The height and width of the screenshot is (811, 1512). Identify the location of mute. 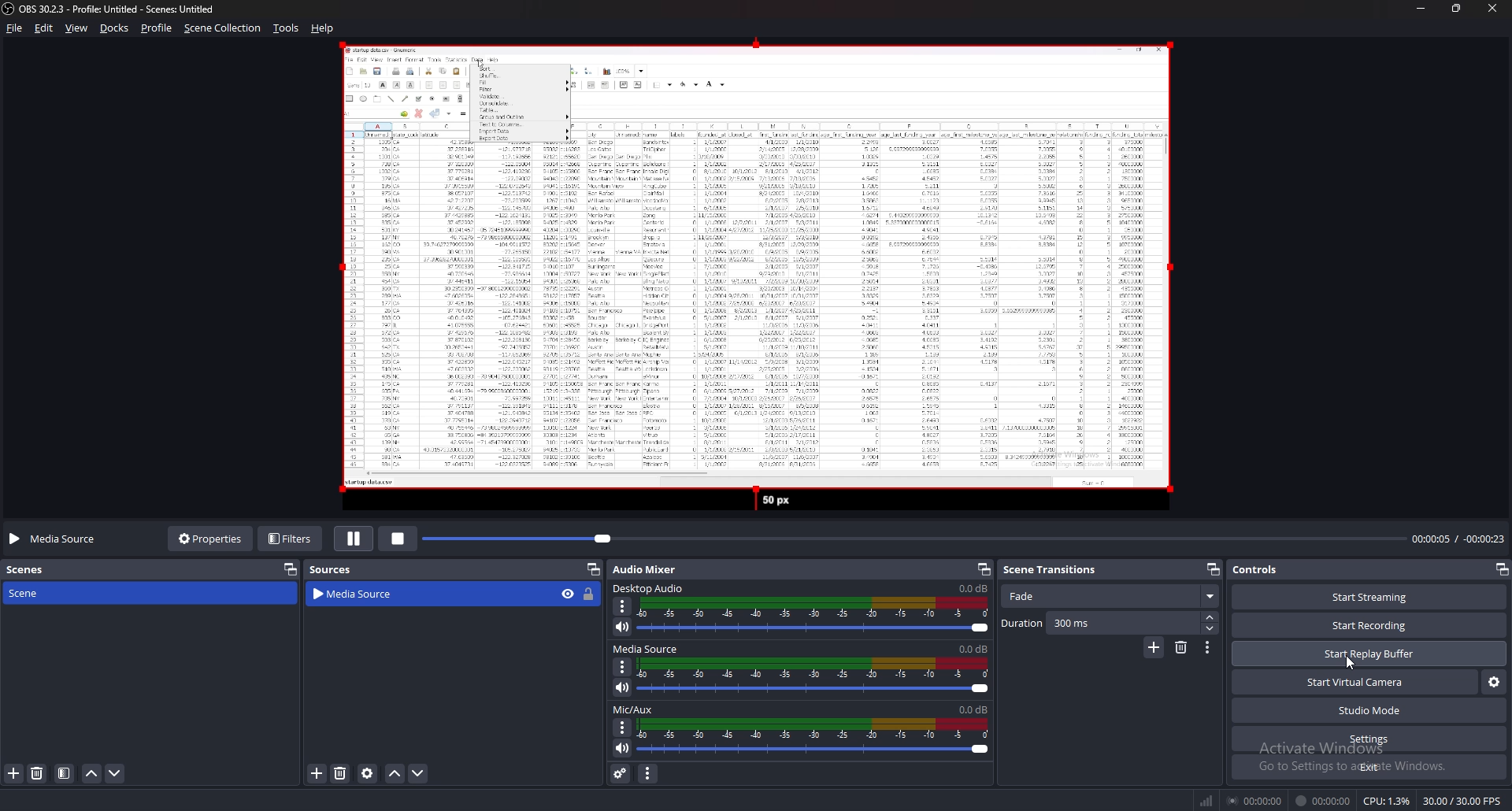
(623, 628).